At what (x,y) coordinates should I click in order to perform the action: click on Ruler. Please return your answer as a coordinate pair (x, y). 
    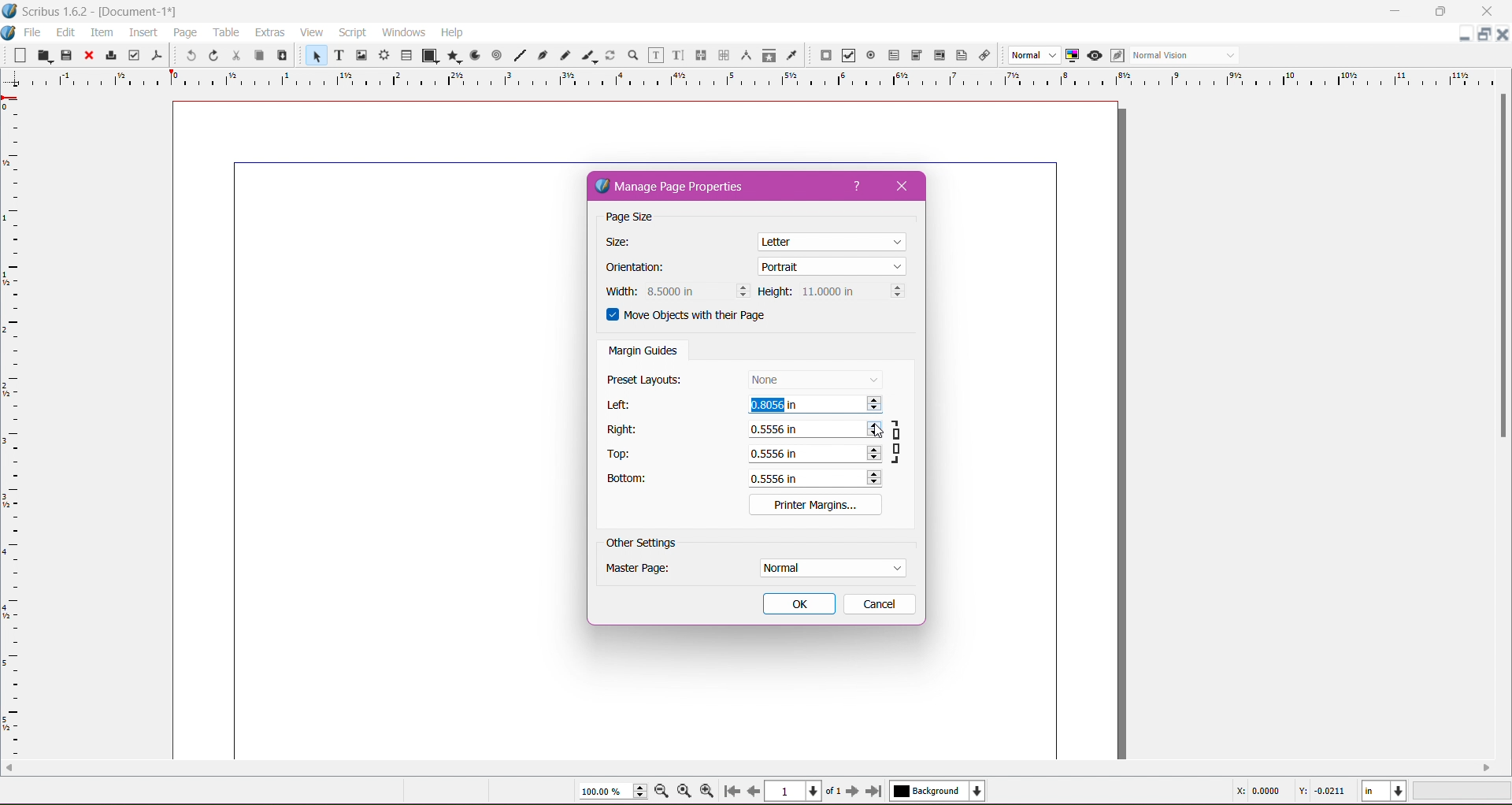
    Looking at the image, I should click on (750, 79).